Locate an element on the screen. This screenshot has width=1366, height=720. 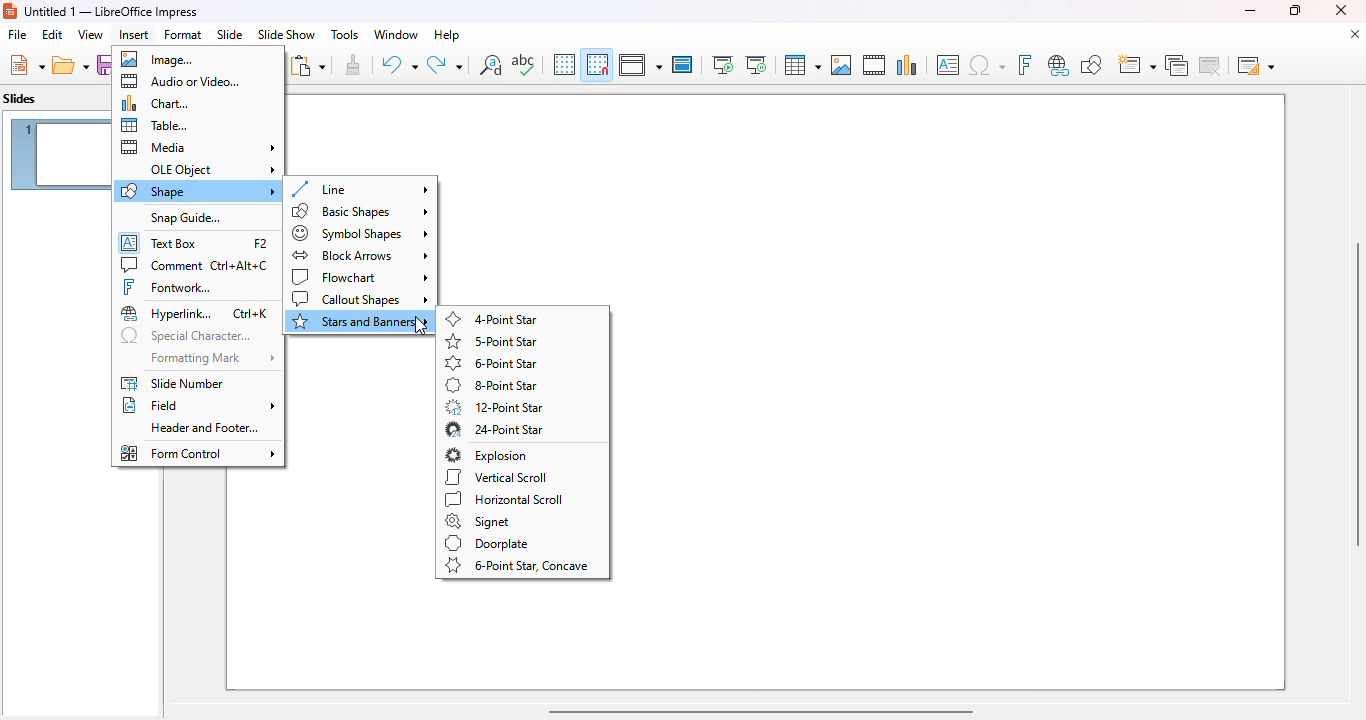
slide is located at coordinates (229, 34).